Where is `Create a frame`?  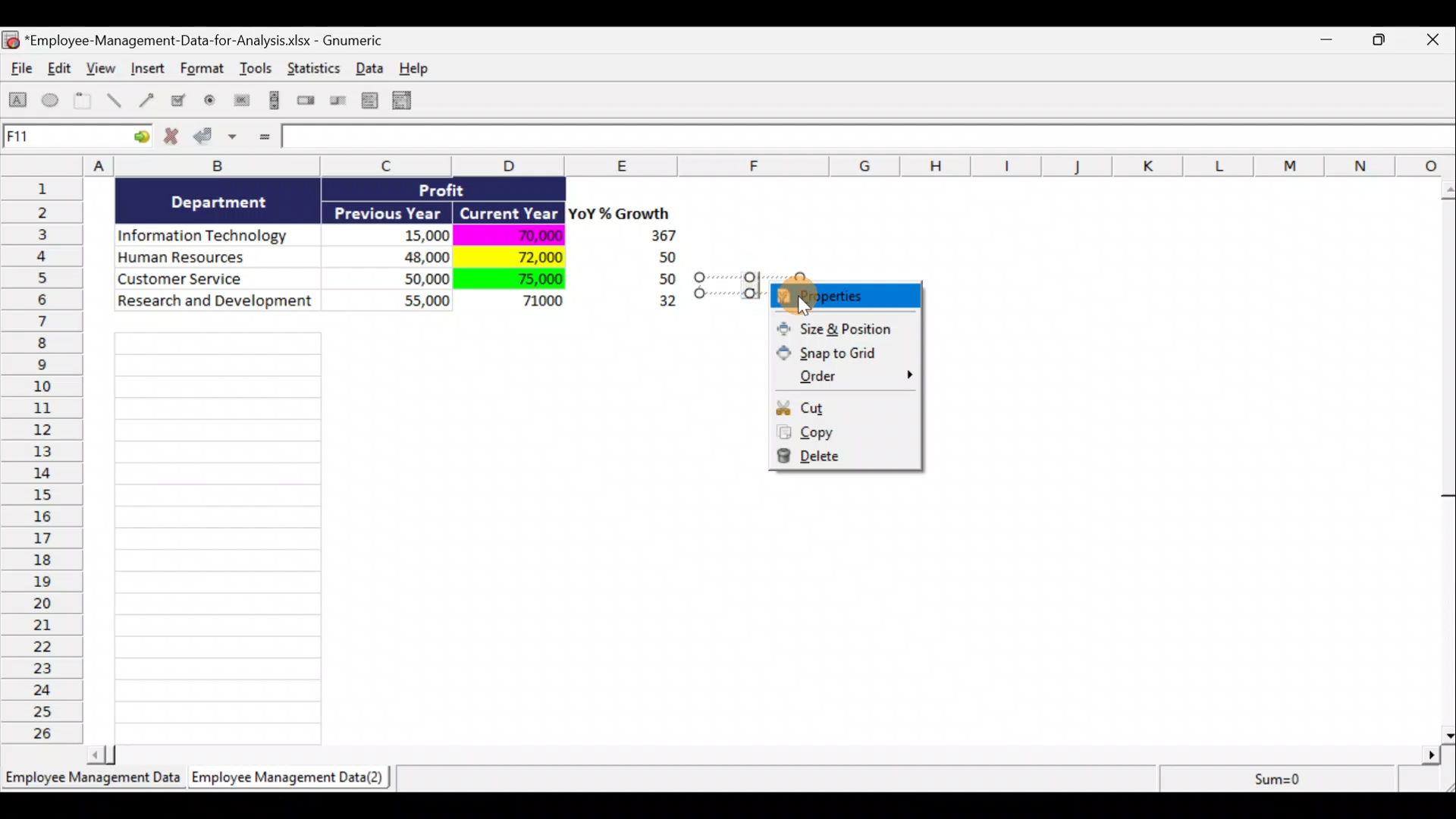
Create a frame is located at coordinates (83, 102).